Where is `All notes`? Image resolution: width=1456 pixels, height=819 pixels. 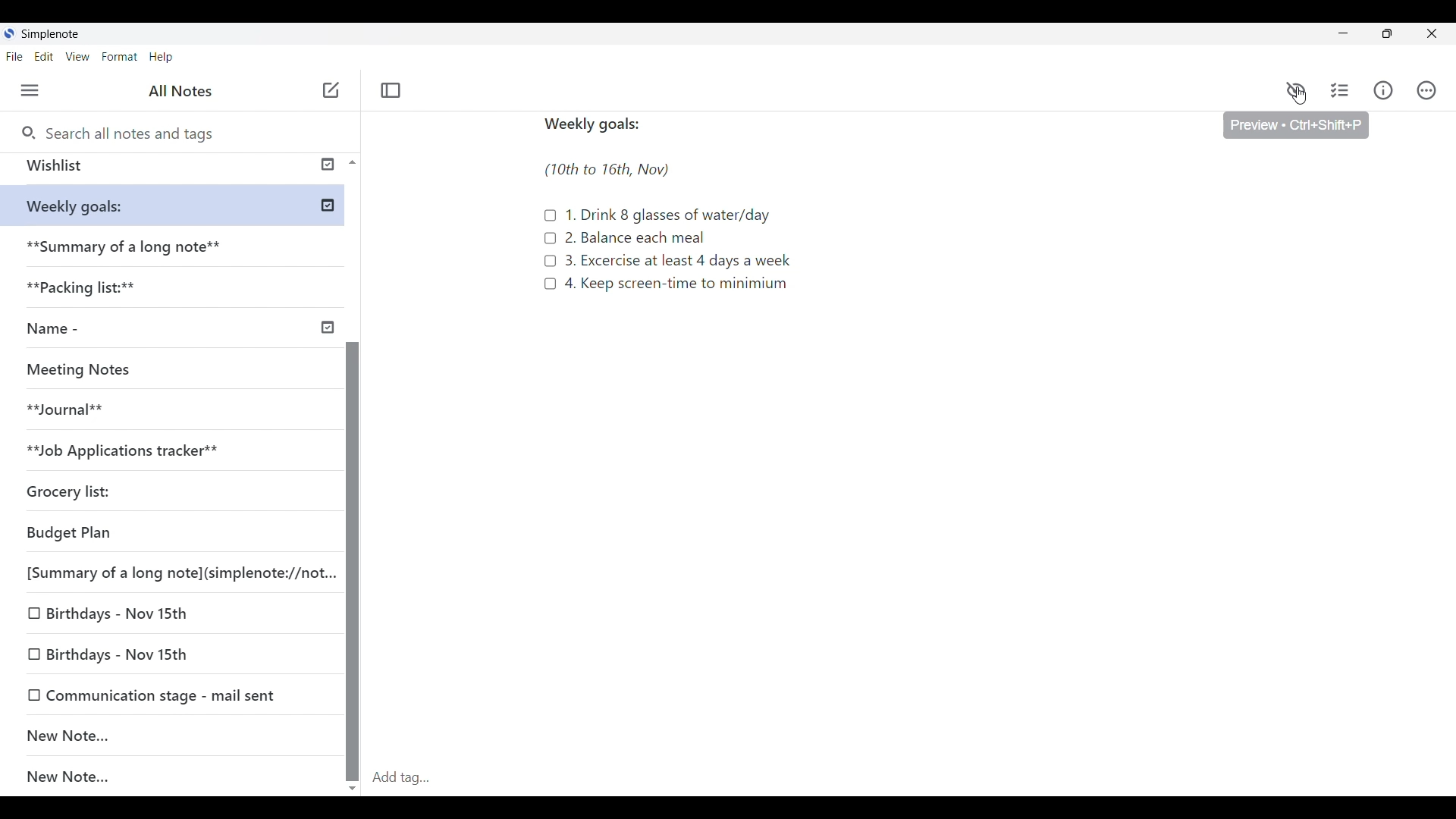
All notes is located at coordinates (184, 91).